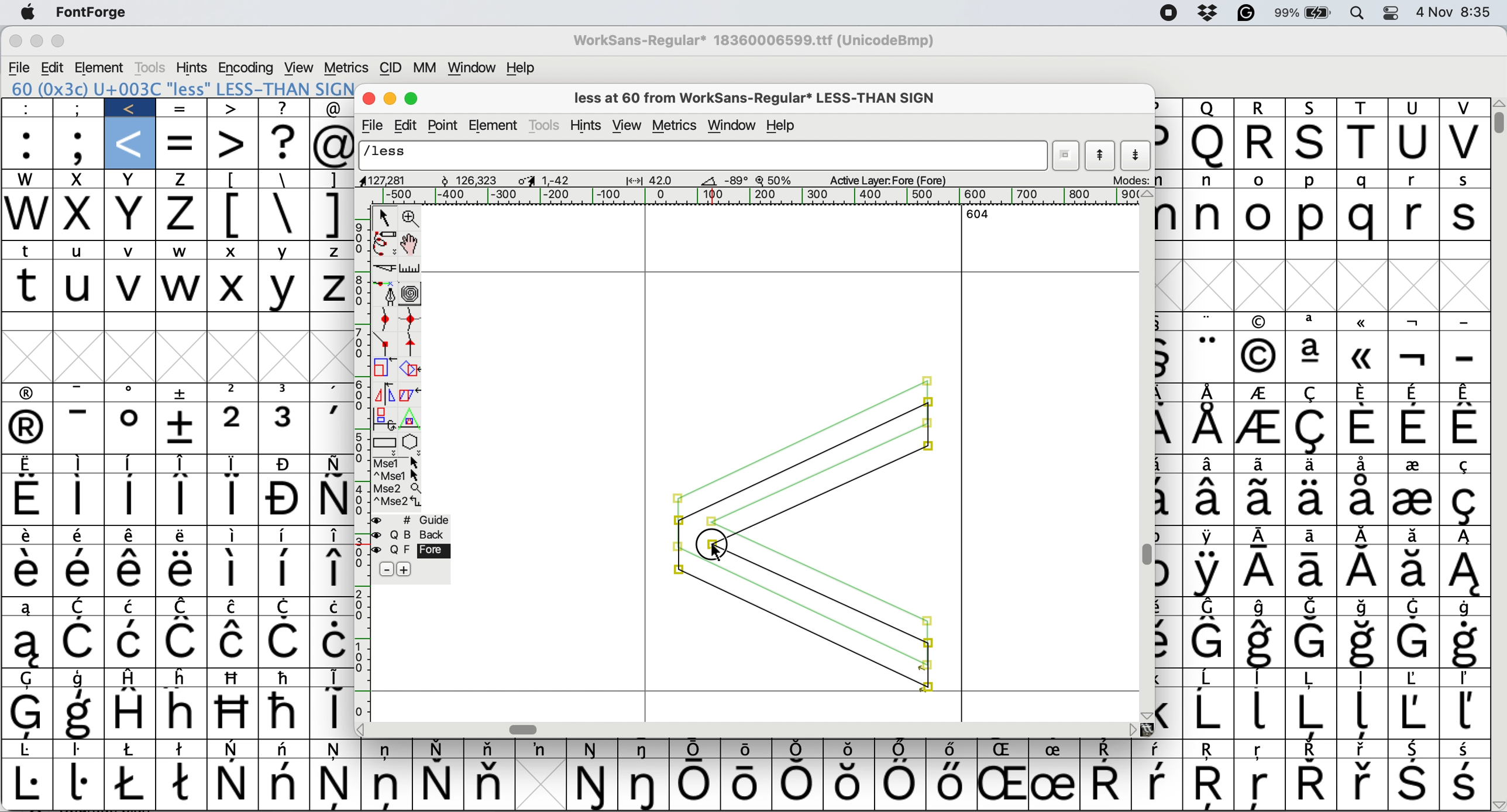 The width and height of the screenshot is (1507, 812). Describe the element at coordinates (1169, 714) in the screenshot. I see `Symbol` at that location.